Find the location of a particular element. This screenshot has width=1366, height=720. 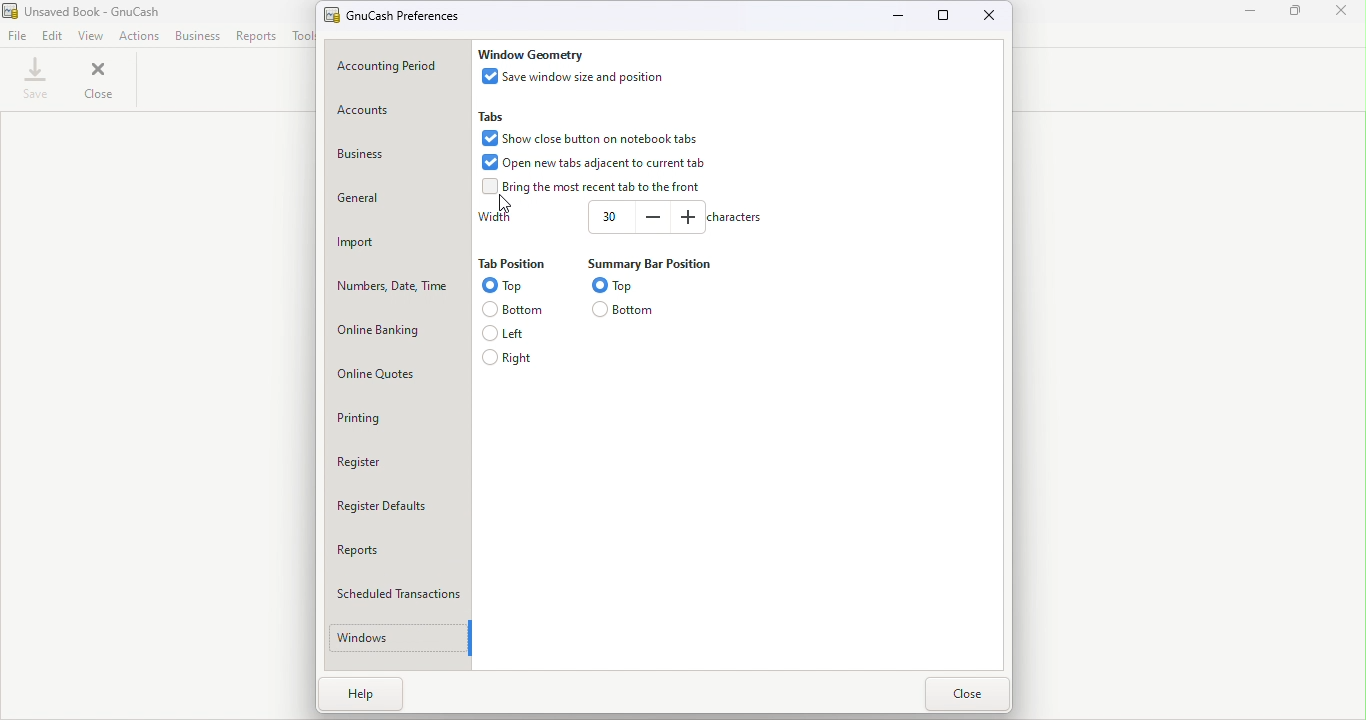

Import is located at coordinates (397, 240).